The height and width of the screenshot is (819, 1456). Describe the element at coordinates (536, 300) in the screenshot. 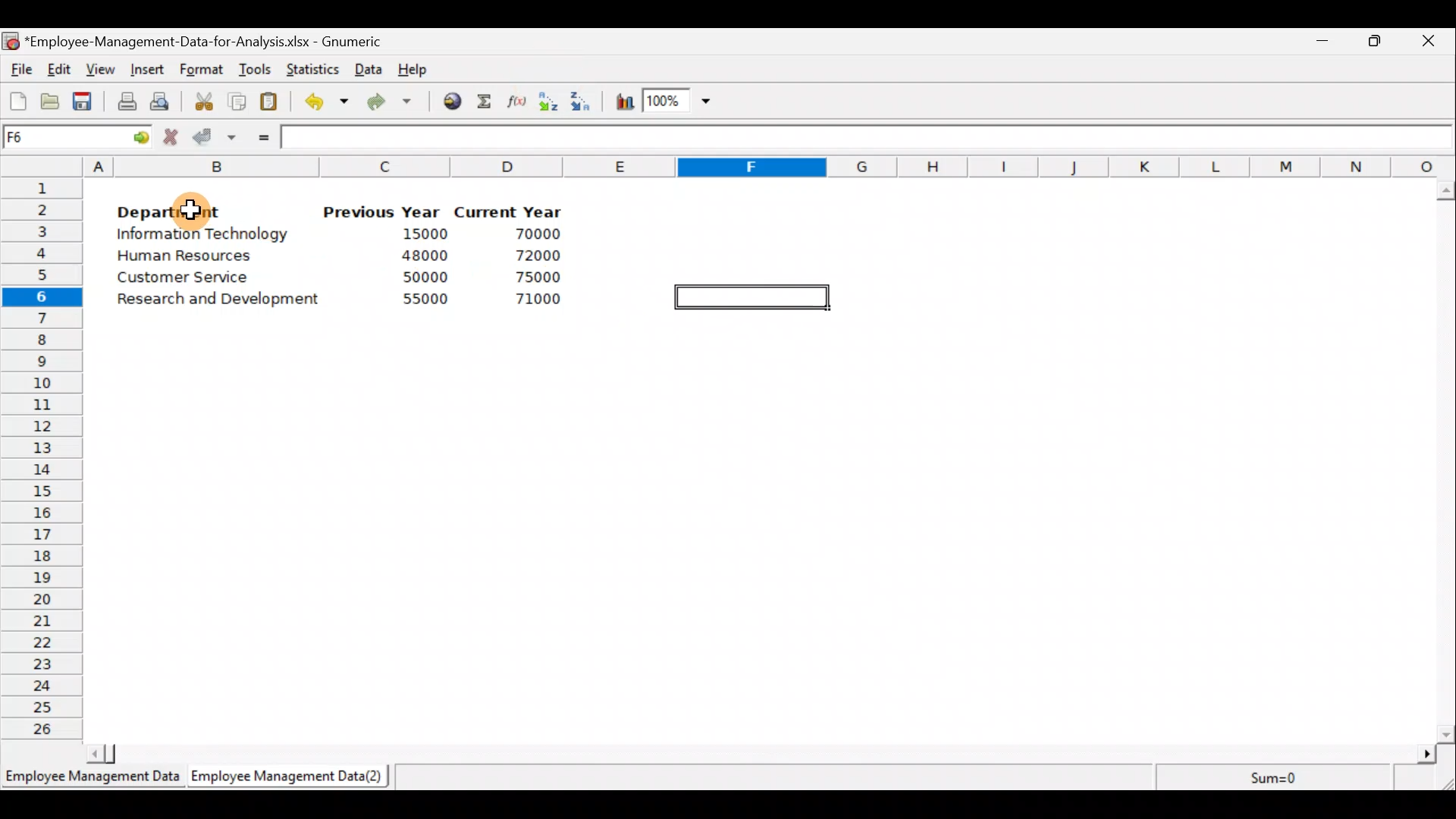

I see `71000` at that location.